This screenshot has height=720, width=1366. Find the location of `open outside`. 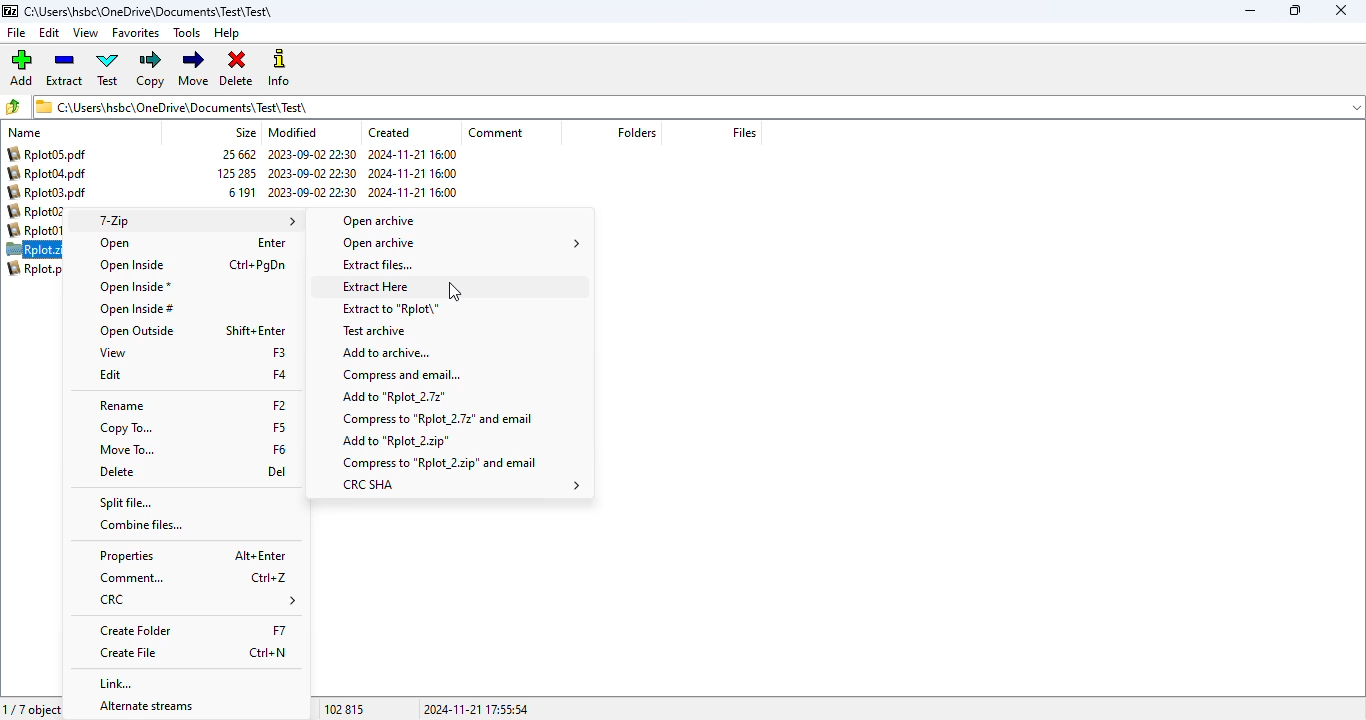

open outside is located at coordinates (137, 331).